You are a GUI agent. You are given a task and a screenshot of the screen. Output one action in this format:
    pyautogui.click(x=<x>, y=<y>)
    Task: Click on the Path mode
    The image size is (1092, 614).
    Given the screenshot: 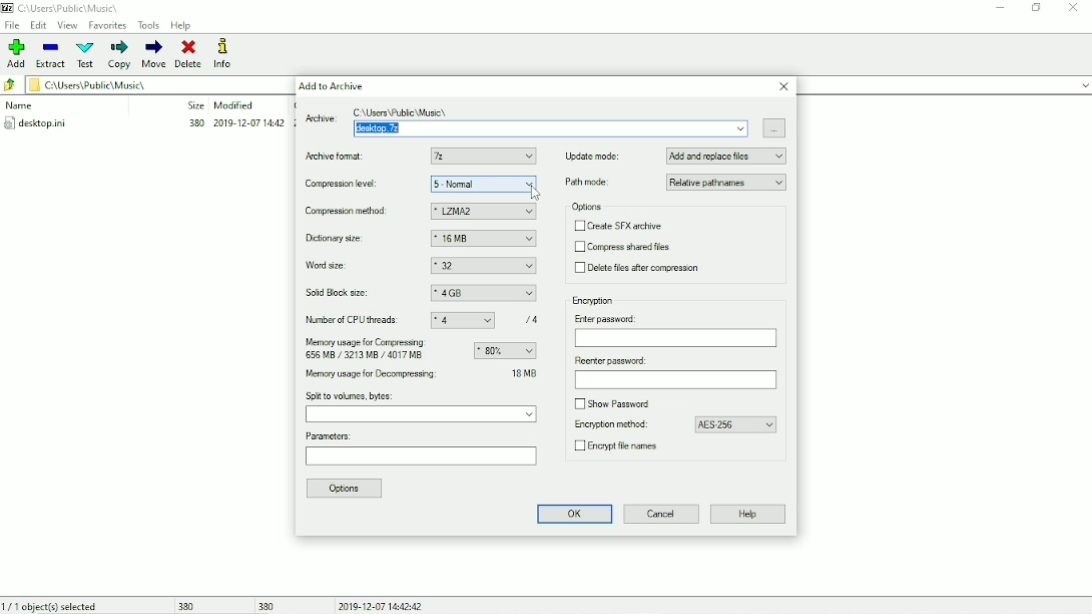 What is the action you would take?
    pyautogui.click(x=590, y=182)
    